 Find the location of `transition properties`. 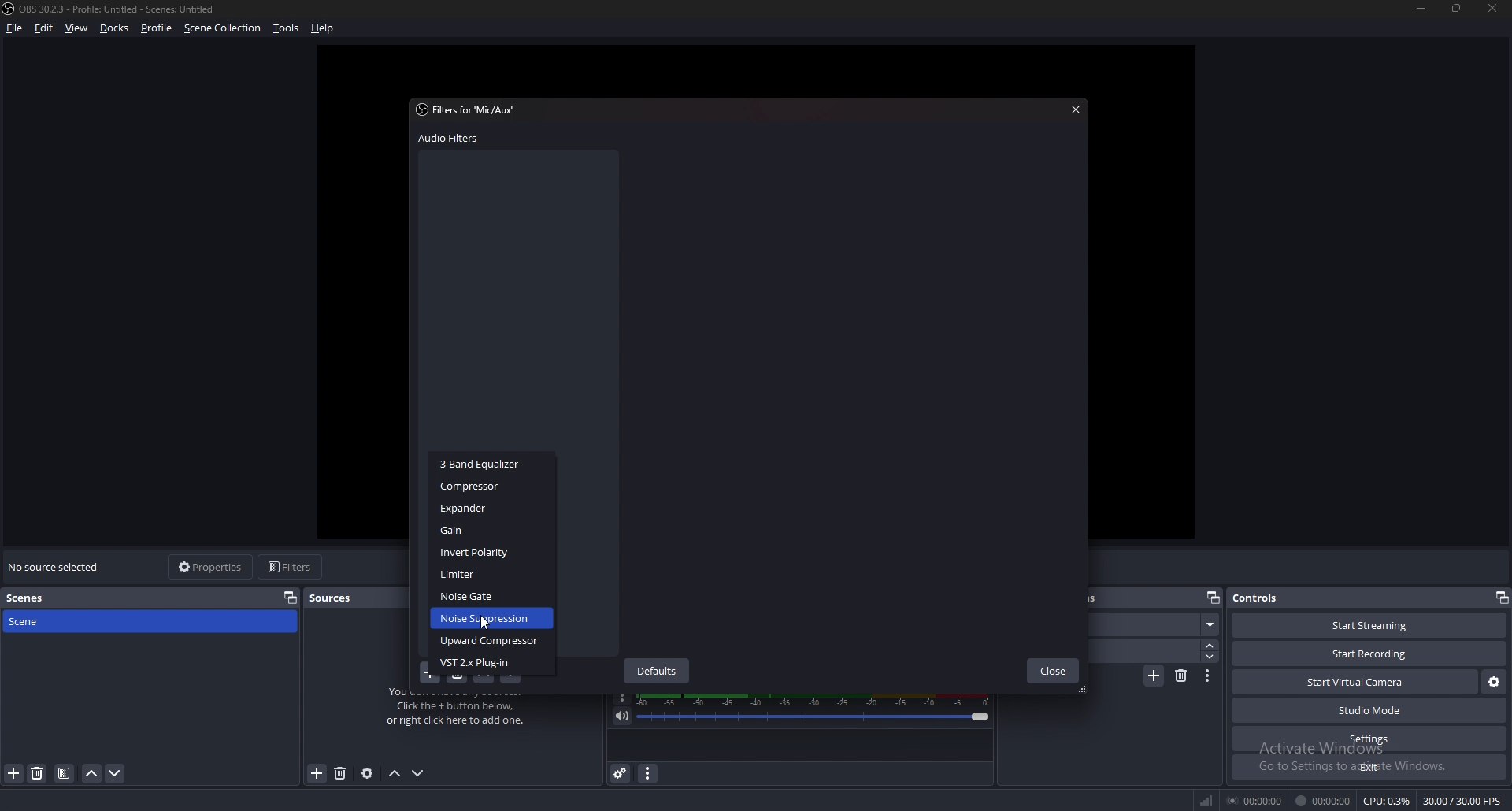

transition properties is located at coordinates (1210, 676).